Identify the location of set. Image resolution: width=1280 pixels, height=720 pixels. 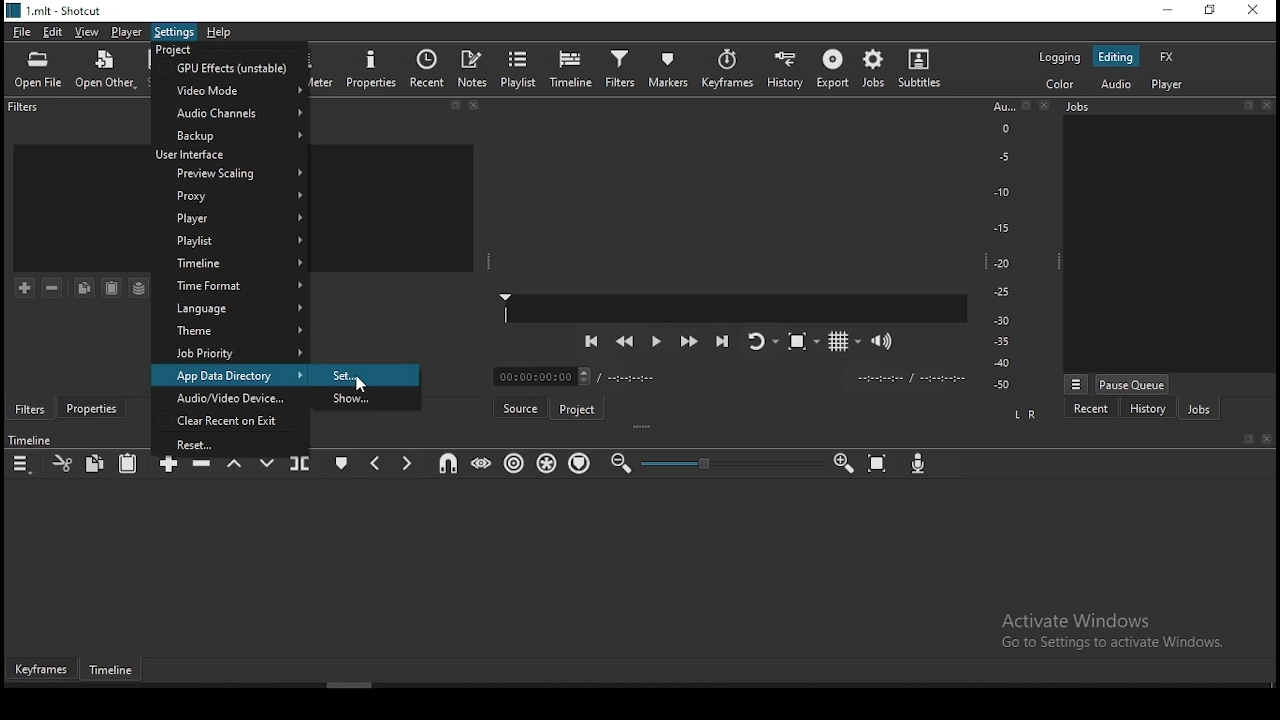
(363, 375).